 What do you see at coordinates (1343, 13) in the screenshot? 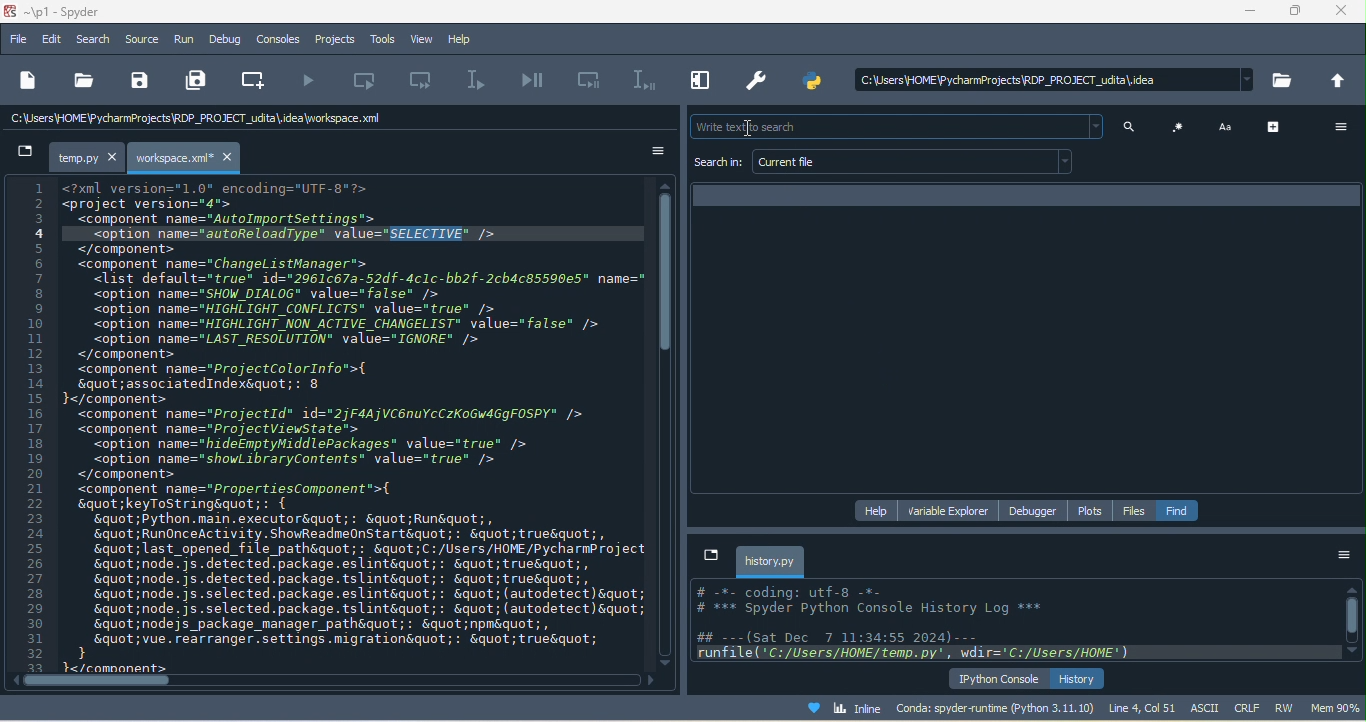
I see `close` at bounding box center [1343, 13].